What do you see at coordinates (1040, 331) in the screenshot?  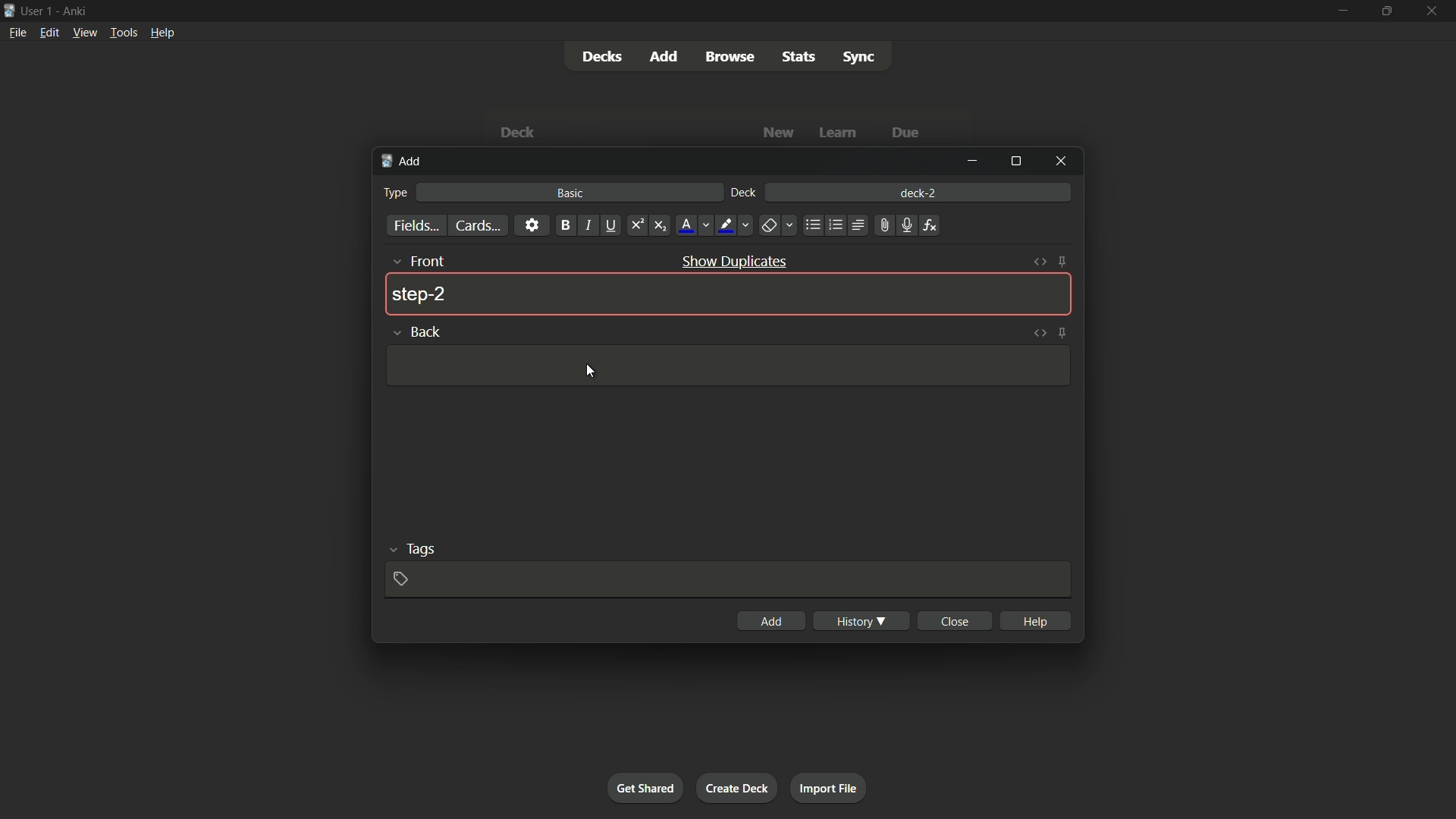 I see `toggle html editor` at bounding box center [1040, 331].